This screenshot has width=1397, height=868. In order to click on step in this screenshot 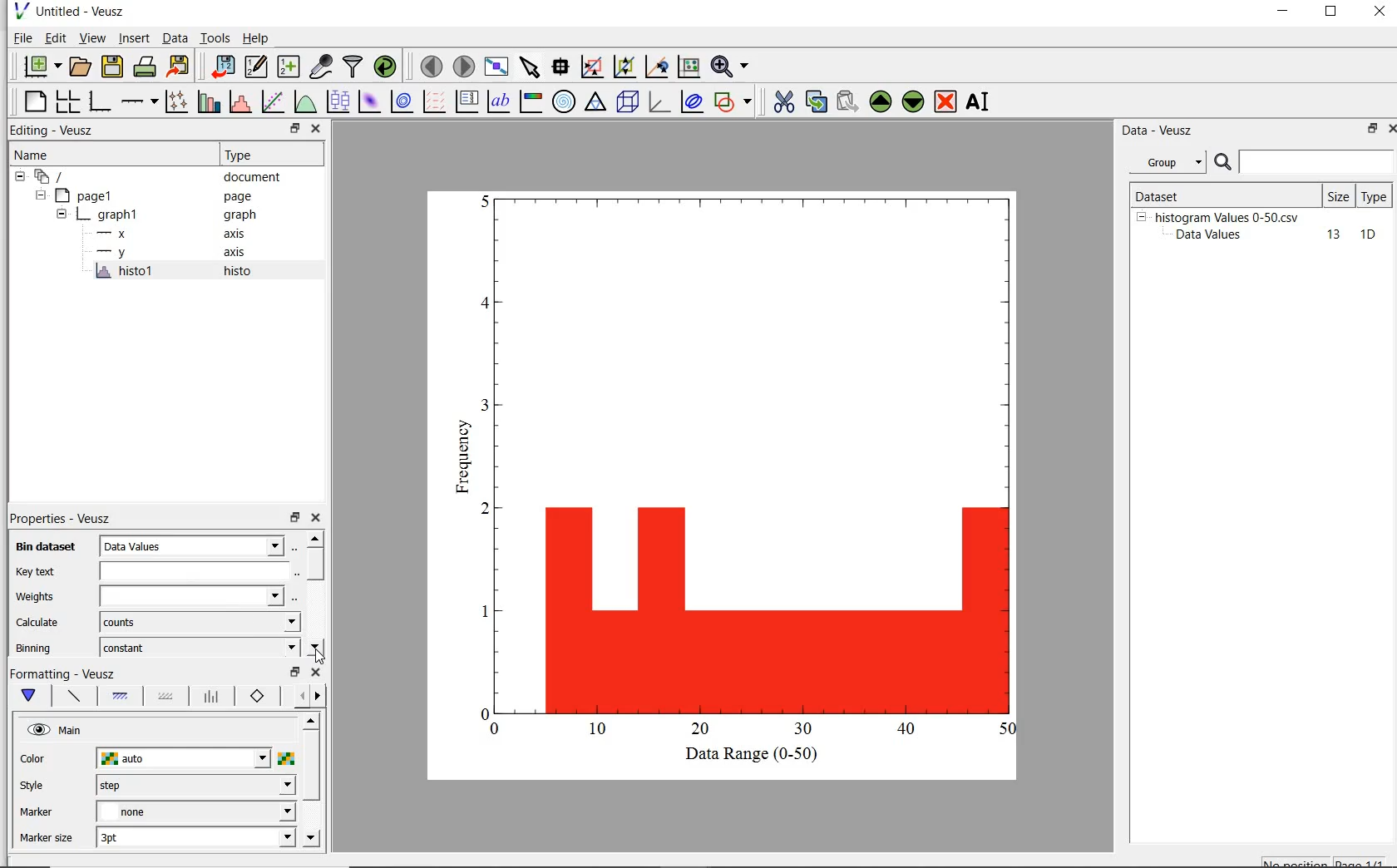, I will do `click(195, 785)`.